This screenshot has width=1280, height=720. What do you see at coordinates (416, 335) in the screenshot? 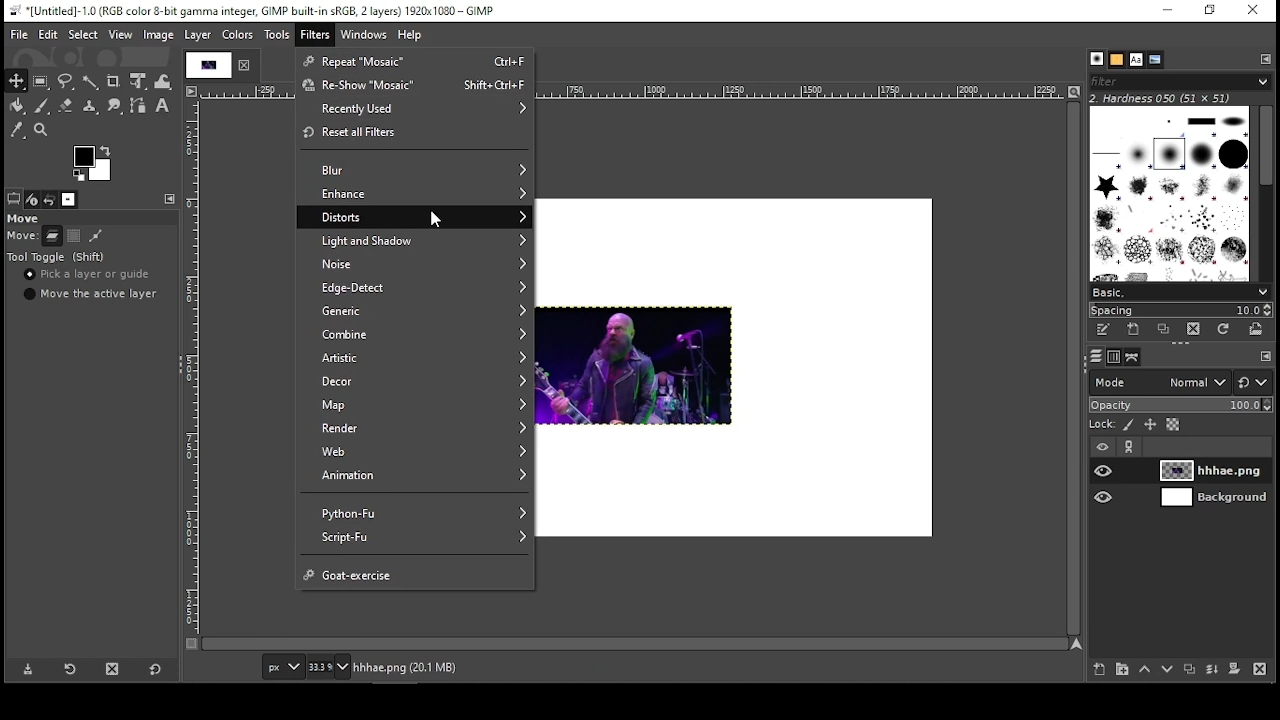
I see `combine` at bounding box center [416, 335].